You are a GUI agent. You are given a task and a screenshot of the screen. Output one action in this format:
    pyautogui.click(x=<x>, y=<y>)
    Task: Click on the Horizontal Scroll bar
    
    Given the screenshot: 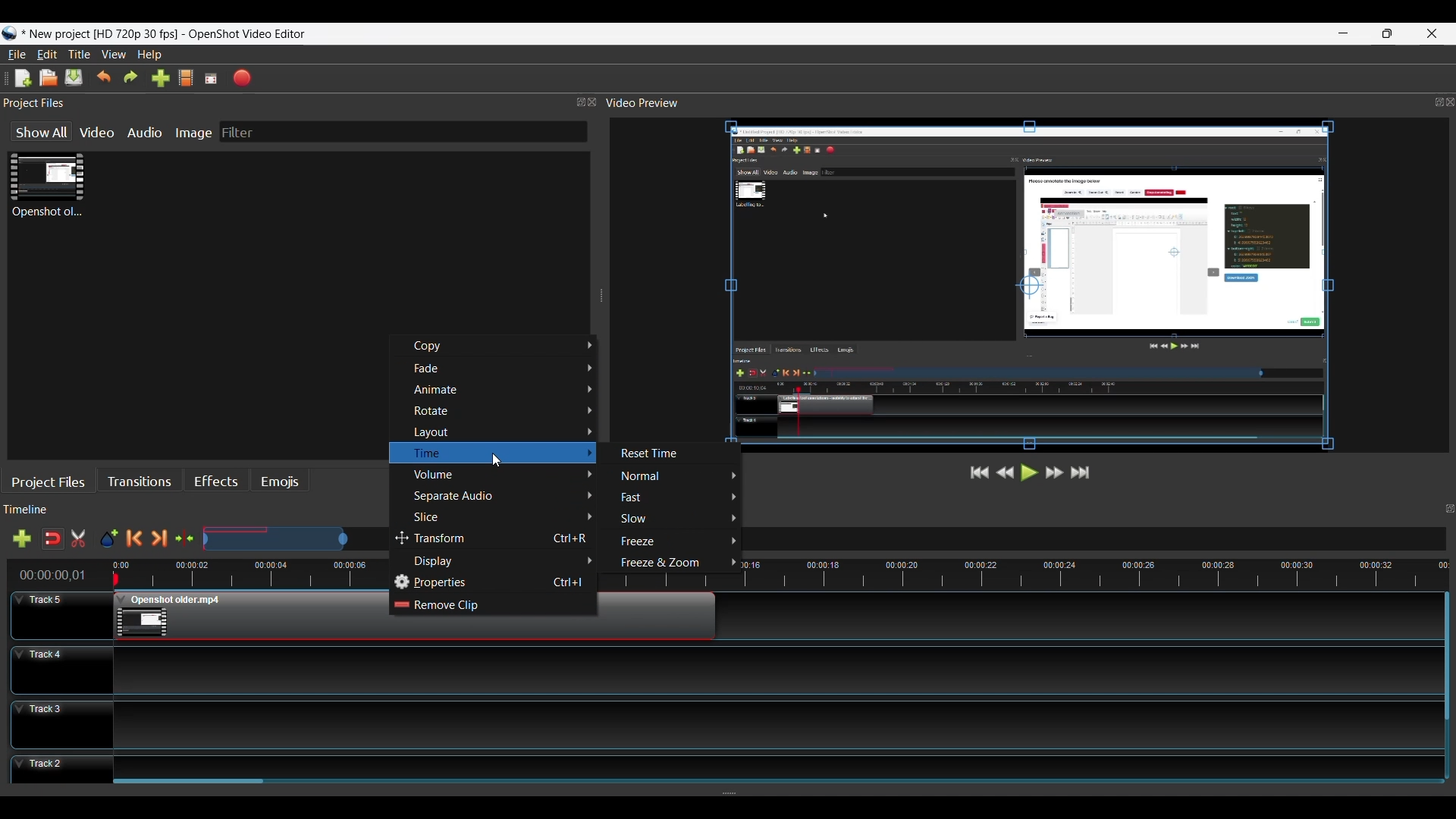 What is the action you would take?
    pyautogui.click(x=192, y=785)
    